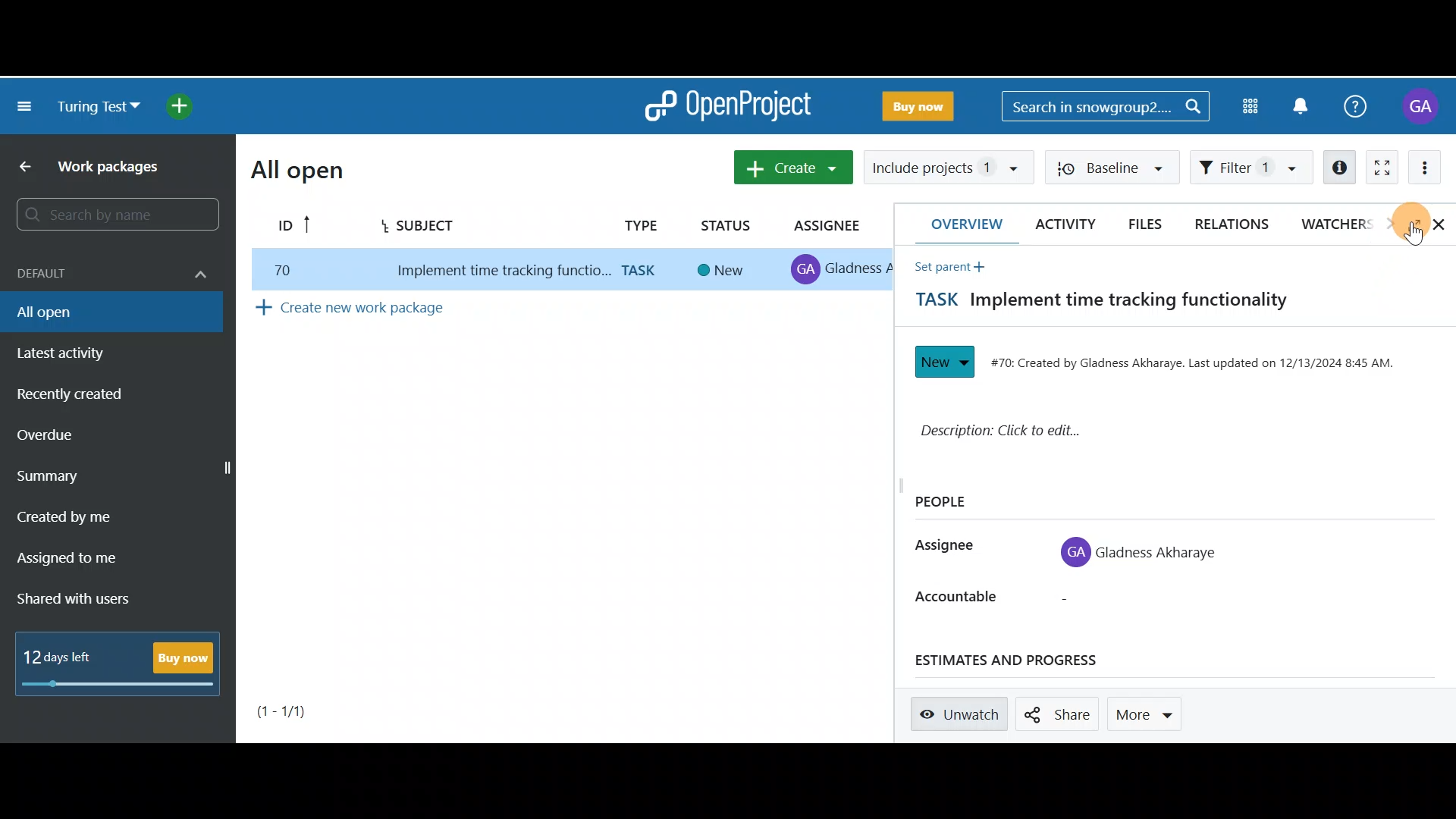 The height and width of the screenshot is (819, 1456). Describe the element at coordinates (1253, 104) in the screenshot. I see `Modules` at that location.